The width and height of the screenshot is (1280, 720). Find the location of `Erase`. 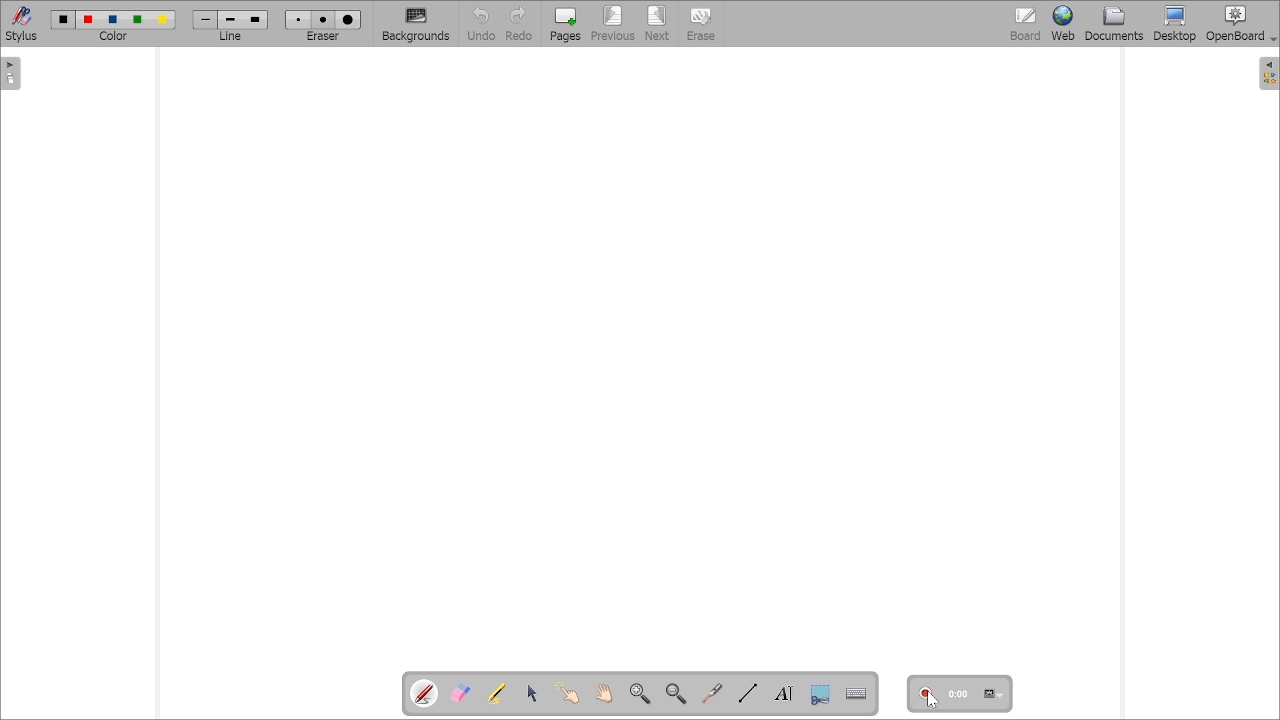

Erase is located at coordinates (709, 24).